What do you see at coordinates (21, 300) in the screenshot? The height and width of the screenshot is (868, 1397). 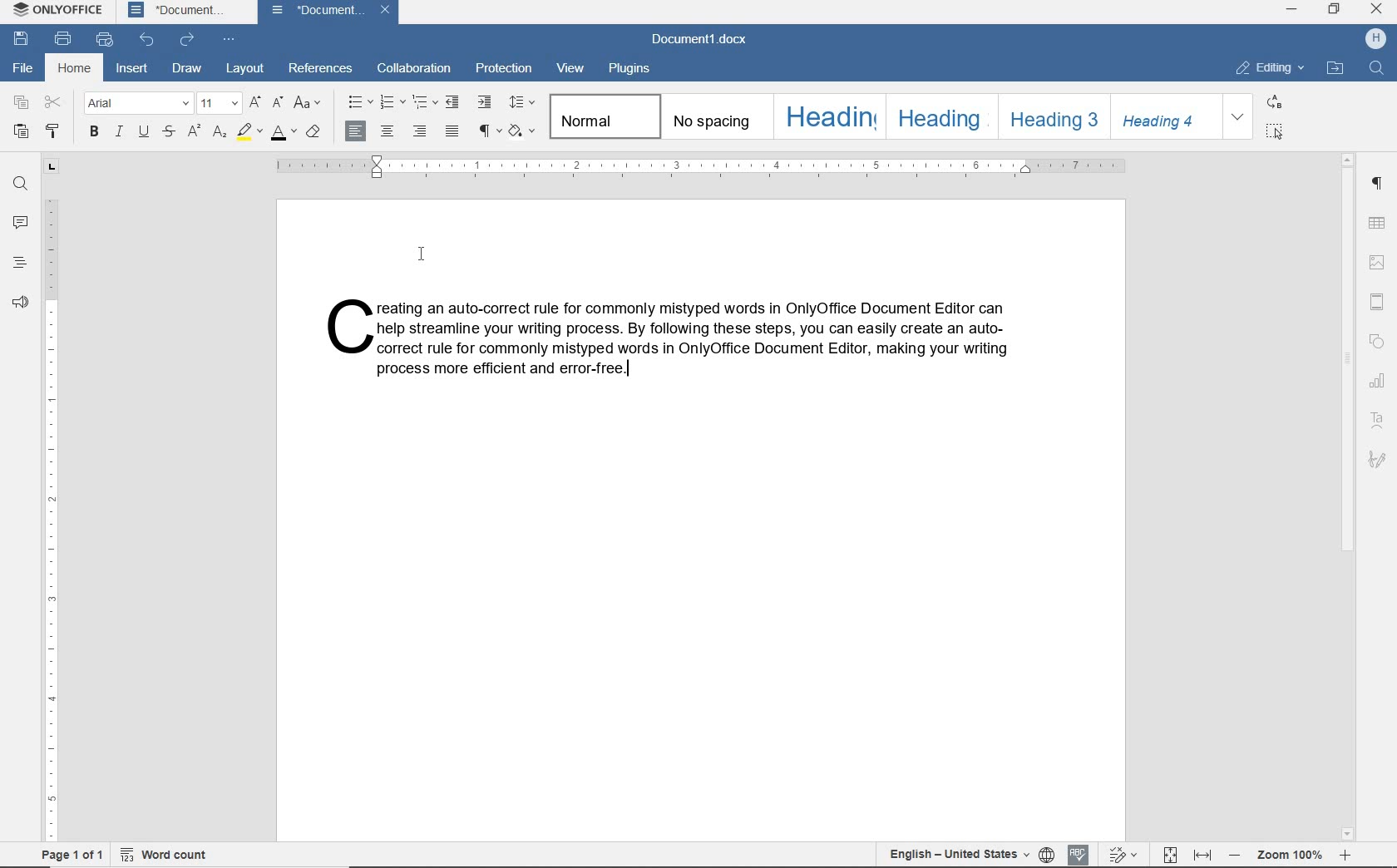 I see `FEEDBACK & SUPPORT` at bounding box center [21, 300].